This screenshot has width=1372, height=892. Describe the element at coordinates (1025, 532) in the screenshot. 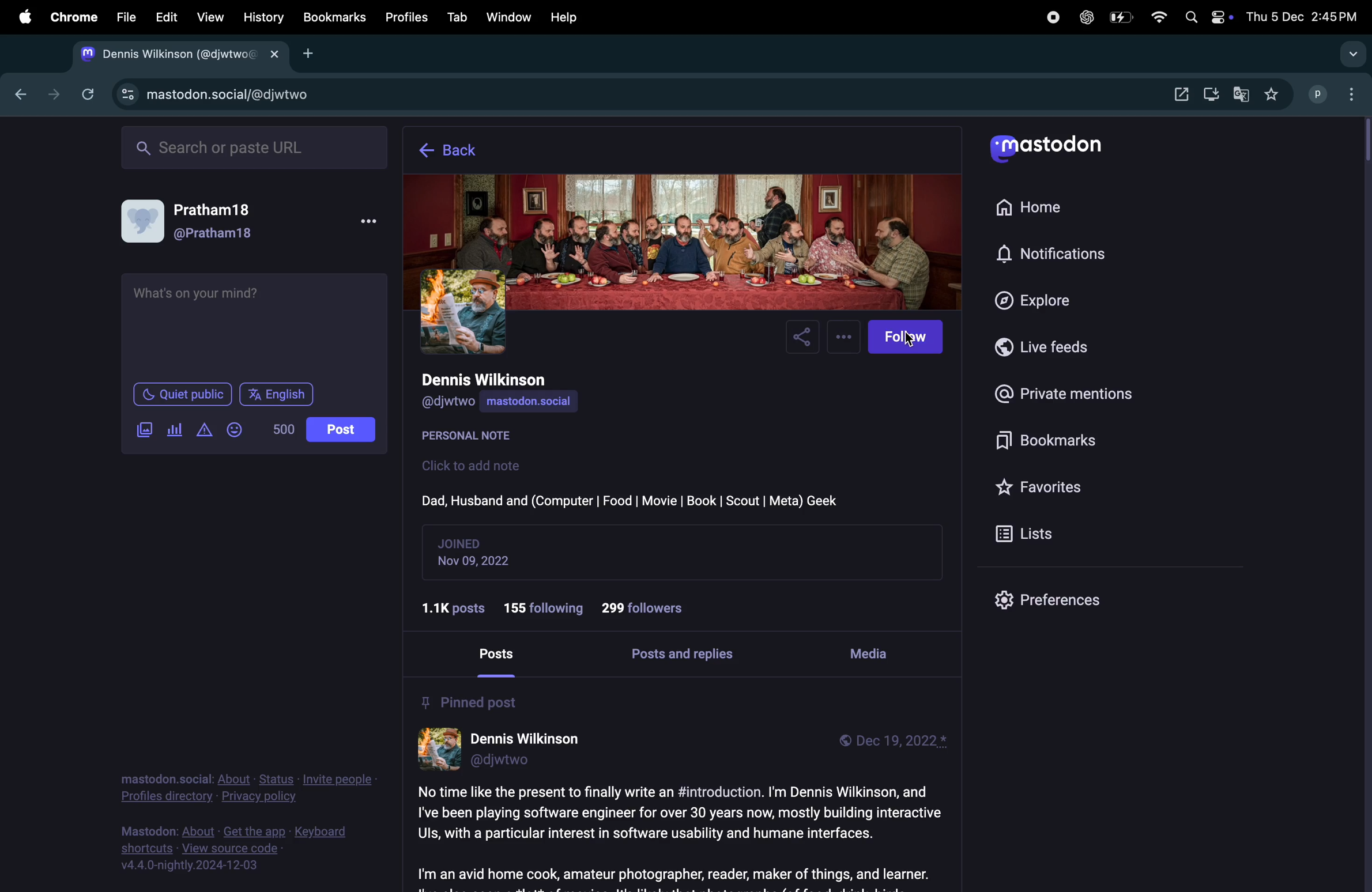

I see `list` at that location.